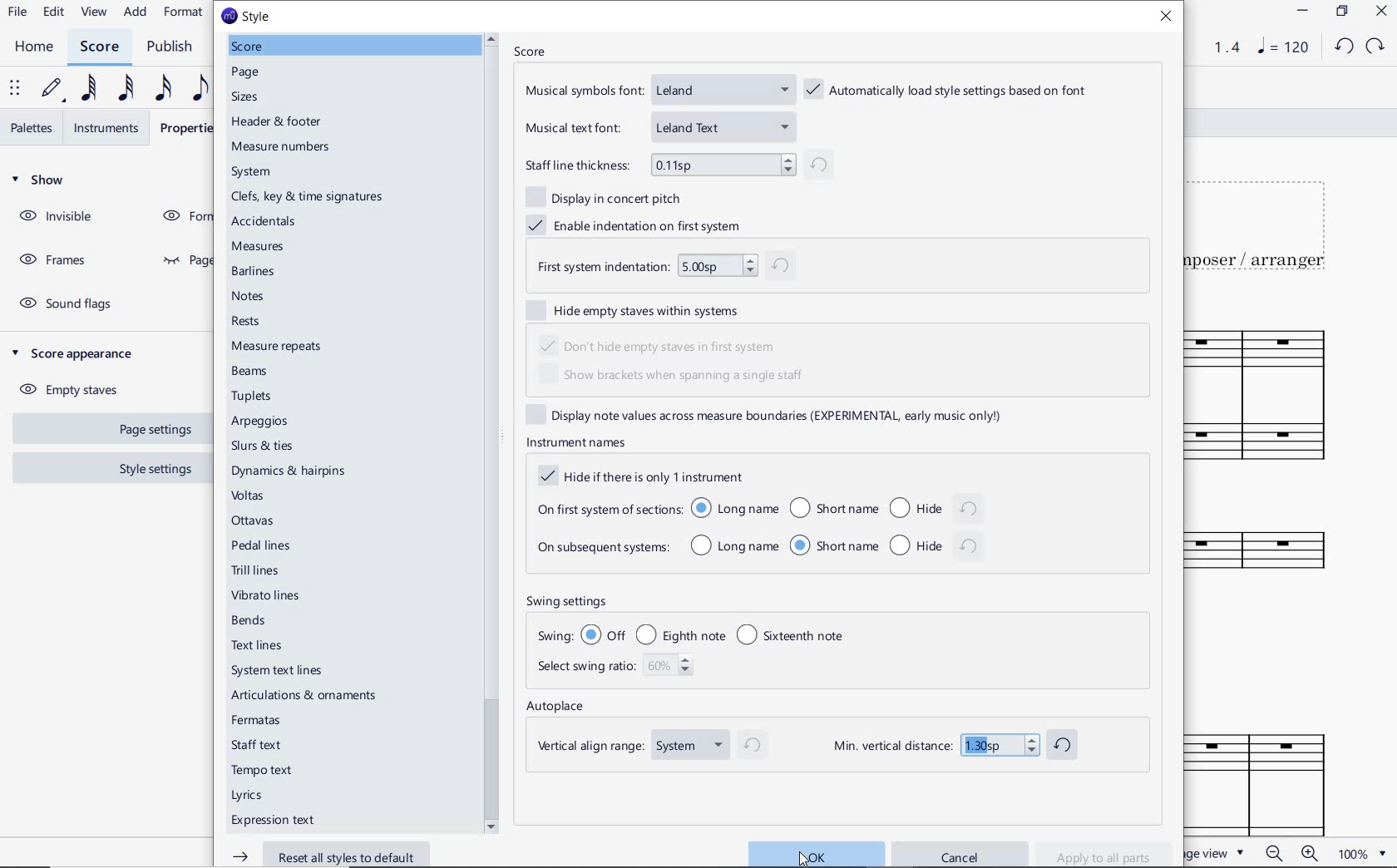  Describe the element at coordinates (271, 821) in the screenshot. I see `expression text` at that location.